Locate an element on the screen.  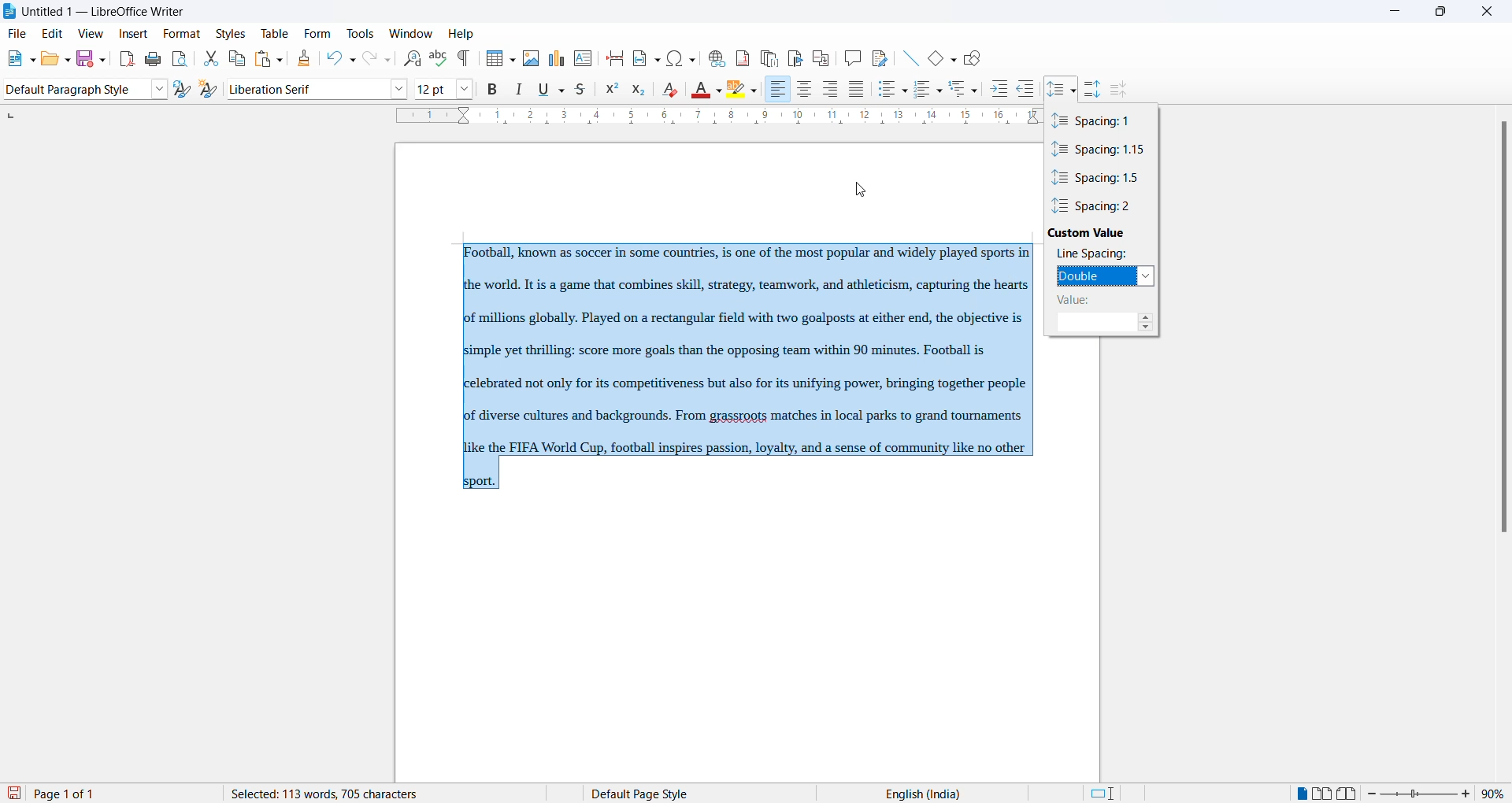
file title is located at coordinates (102, 13).